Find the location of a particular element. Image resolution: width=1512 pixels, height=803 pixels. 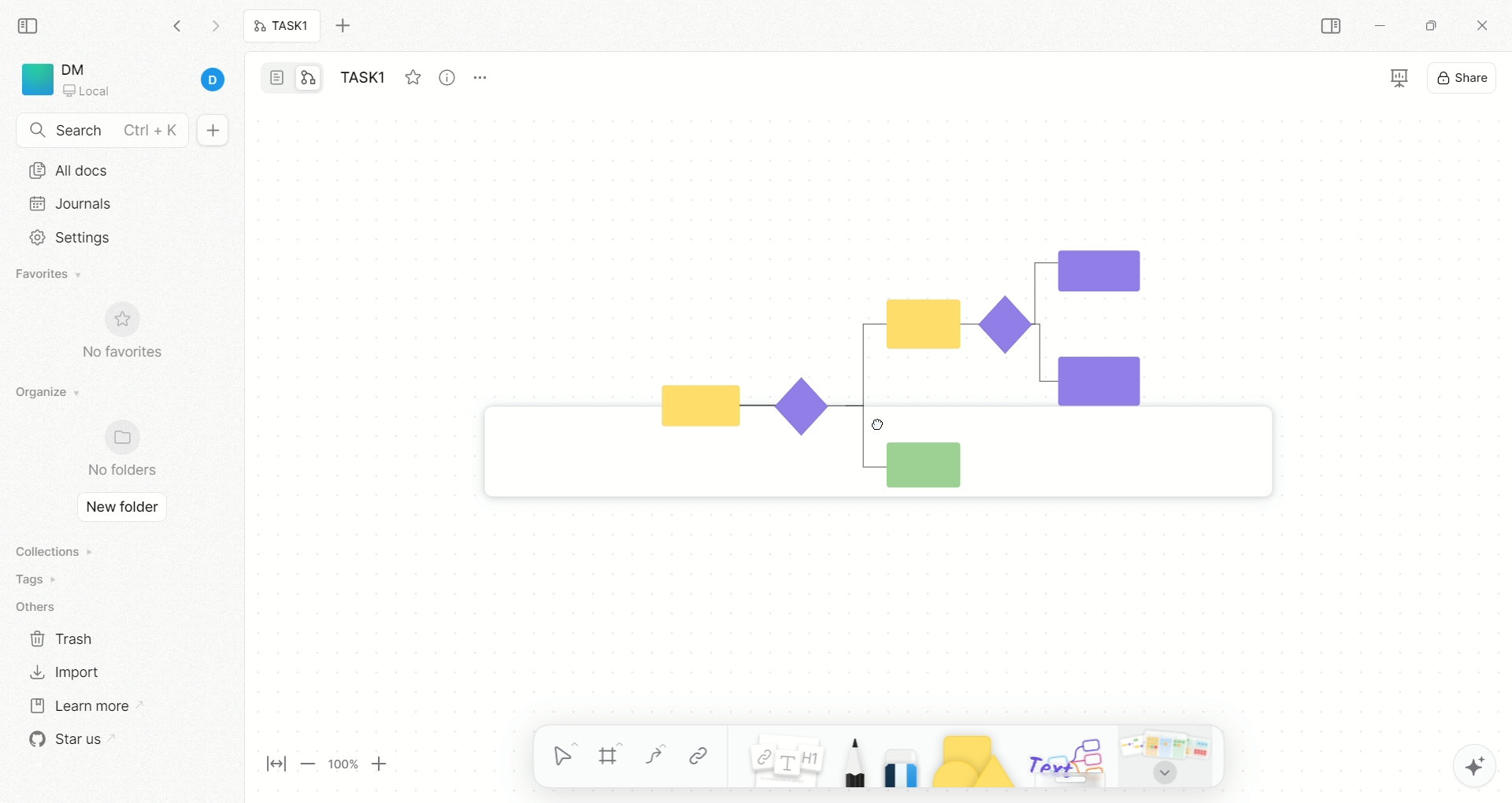

new tab is located at coordinates (352, 26).